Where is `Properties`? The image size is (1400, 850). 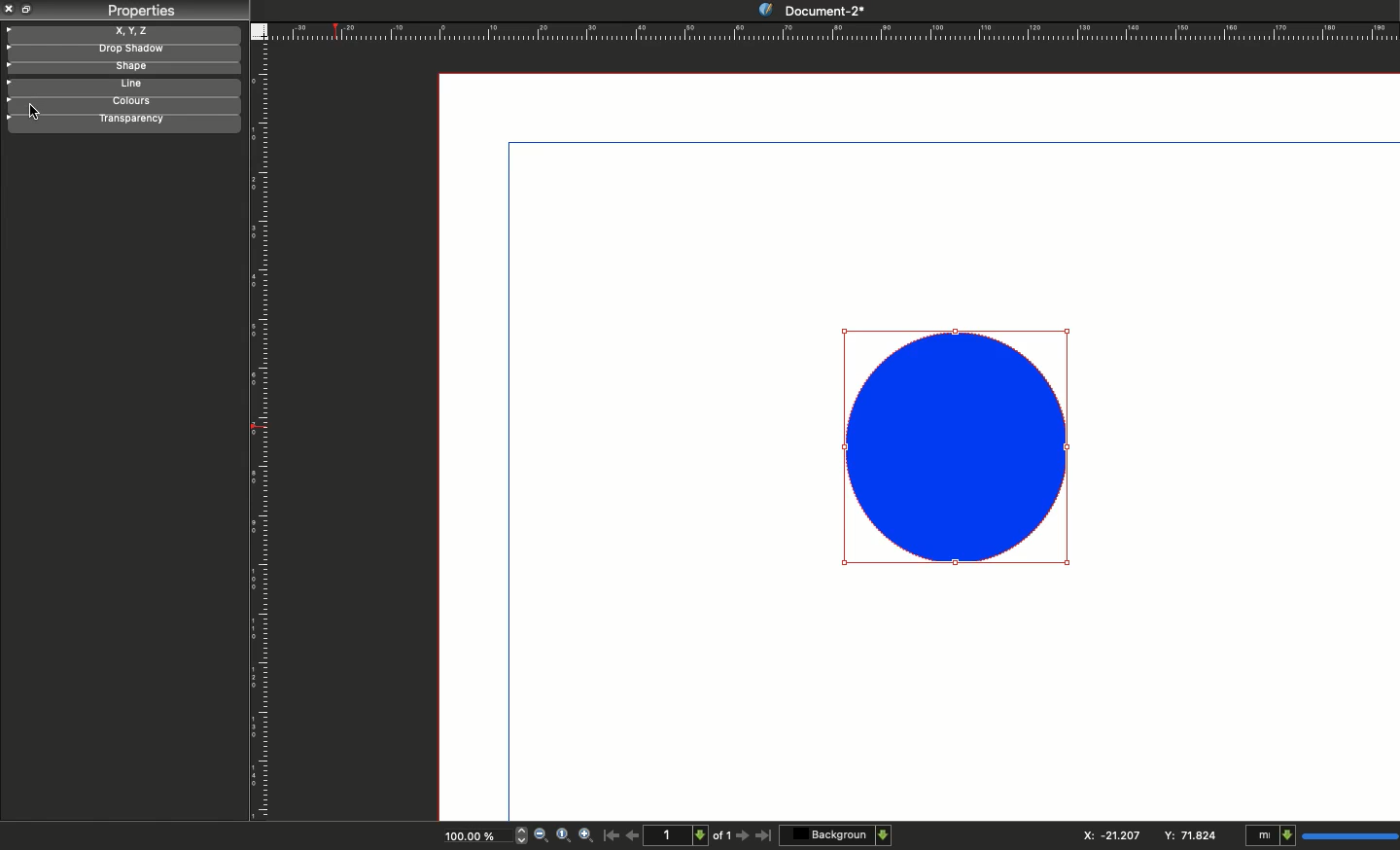 Properties is located at coordinates (140, 11).